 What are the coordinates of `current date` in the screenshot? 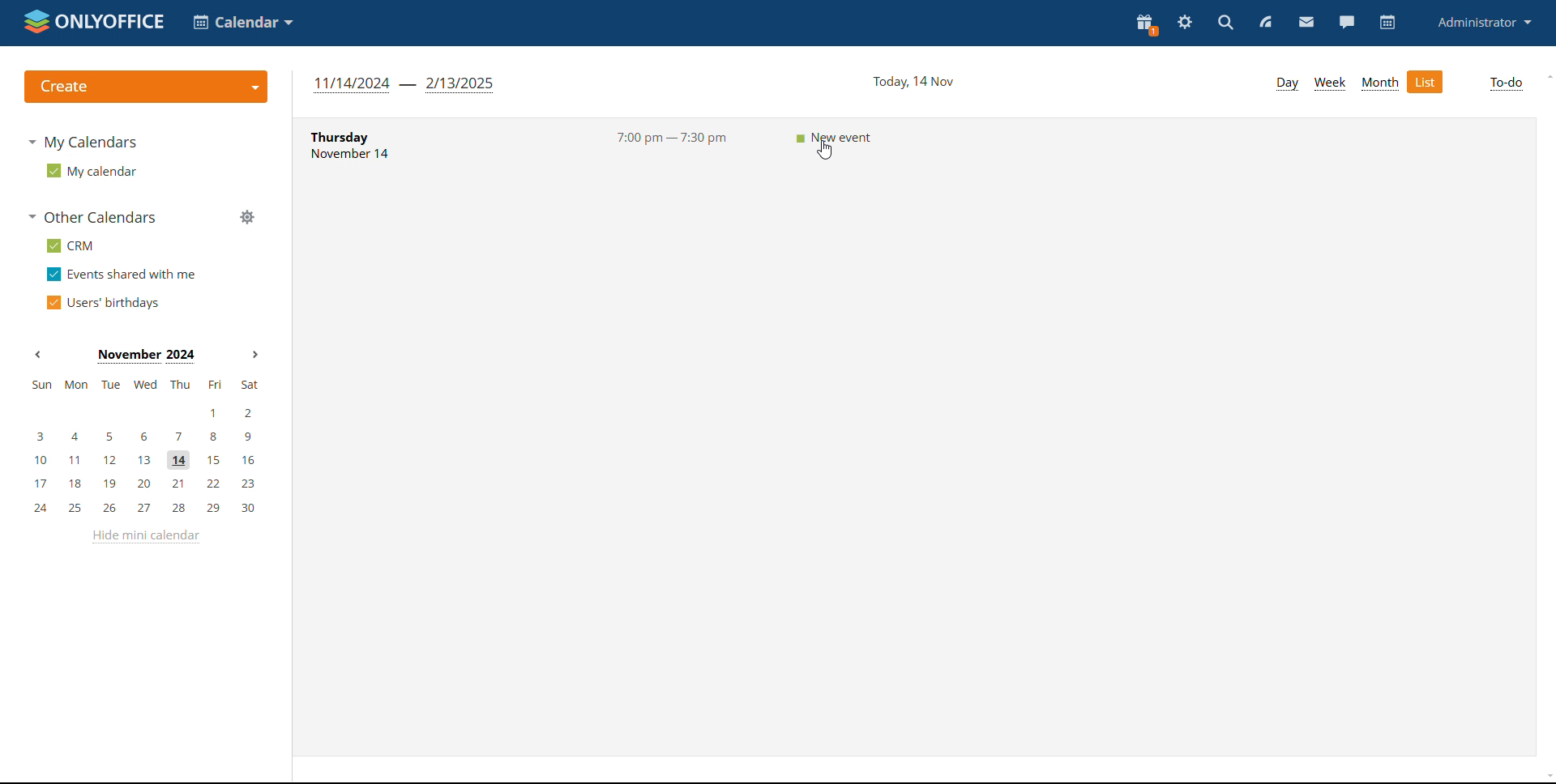 It's located at (912, 82).